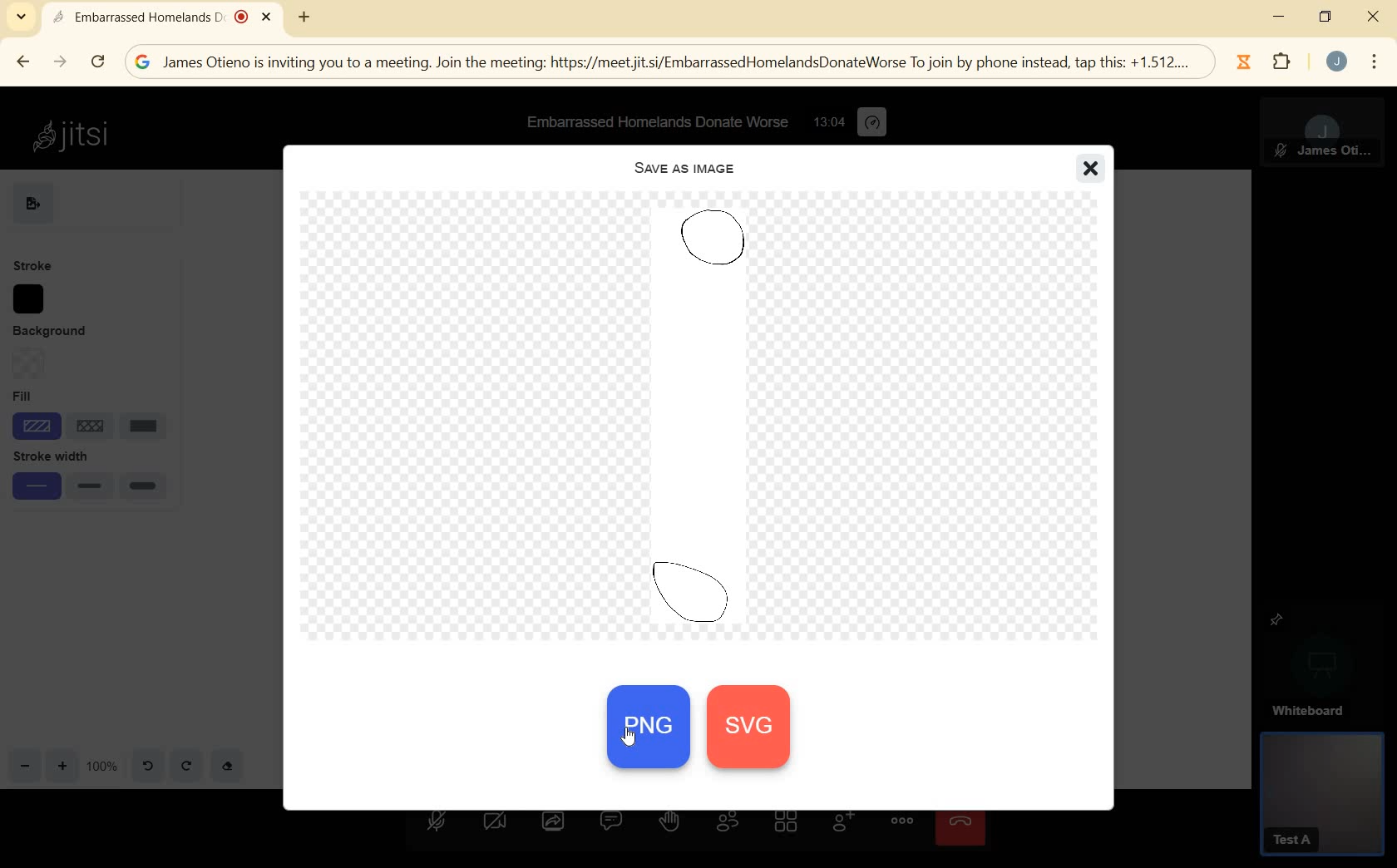 The width and height of the screenshot is (1397, 868). Describe the element at coordinates (61, 62) in the screenshot. I see `FORWARD` at that location.